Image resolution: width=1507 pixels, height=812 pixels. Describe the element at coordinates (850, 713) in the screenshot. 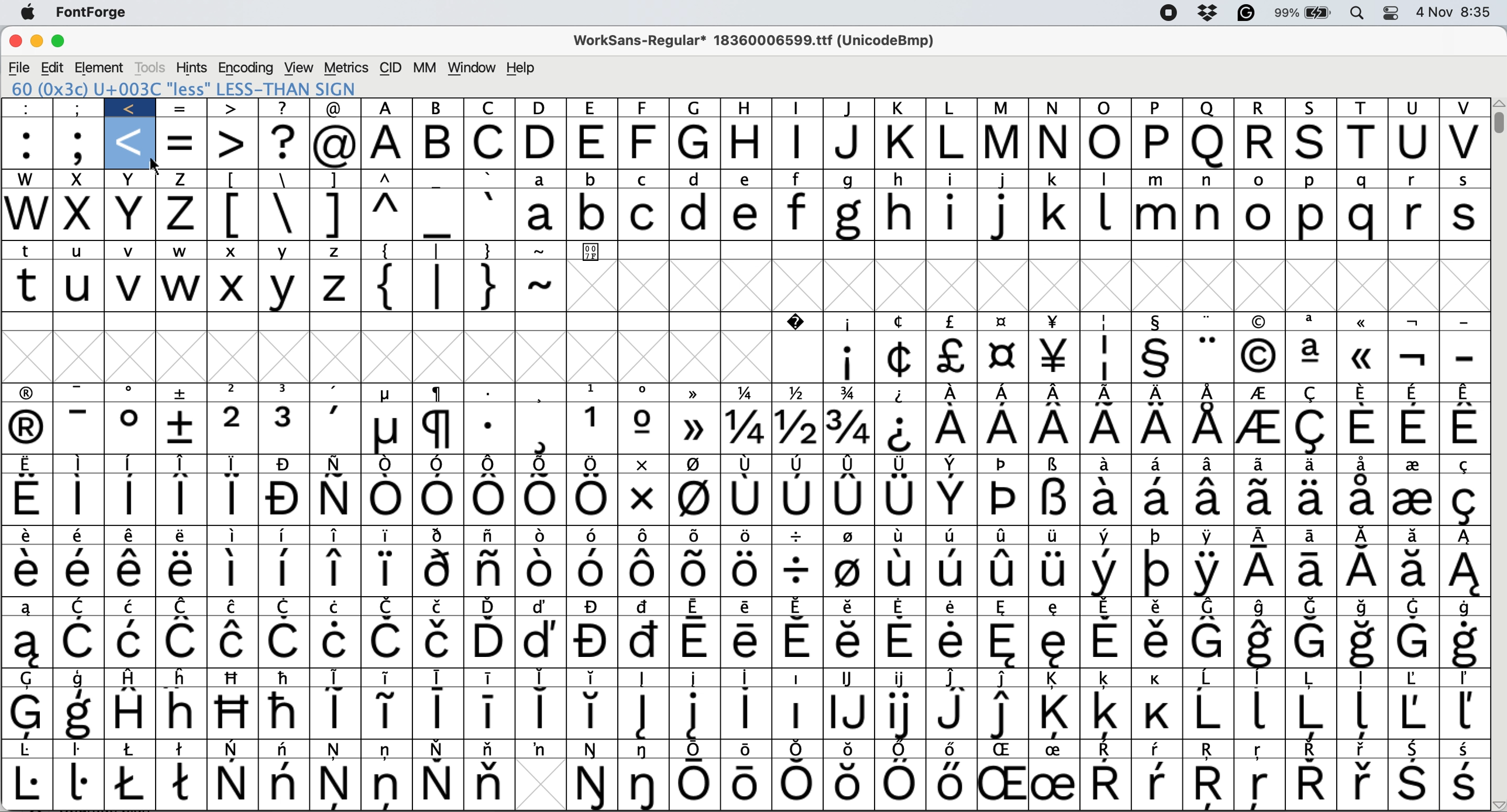

I see `Symbol` at that location.